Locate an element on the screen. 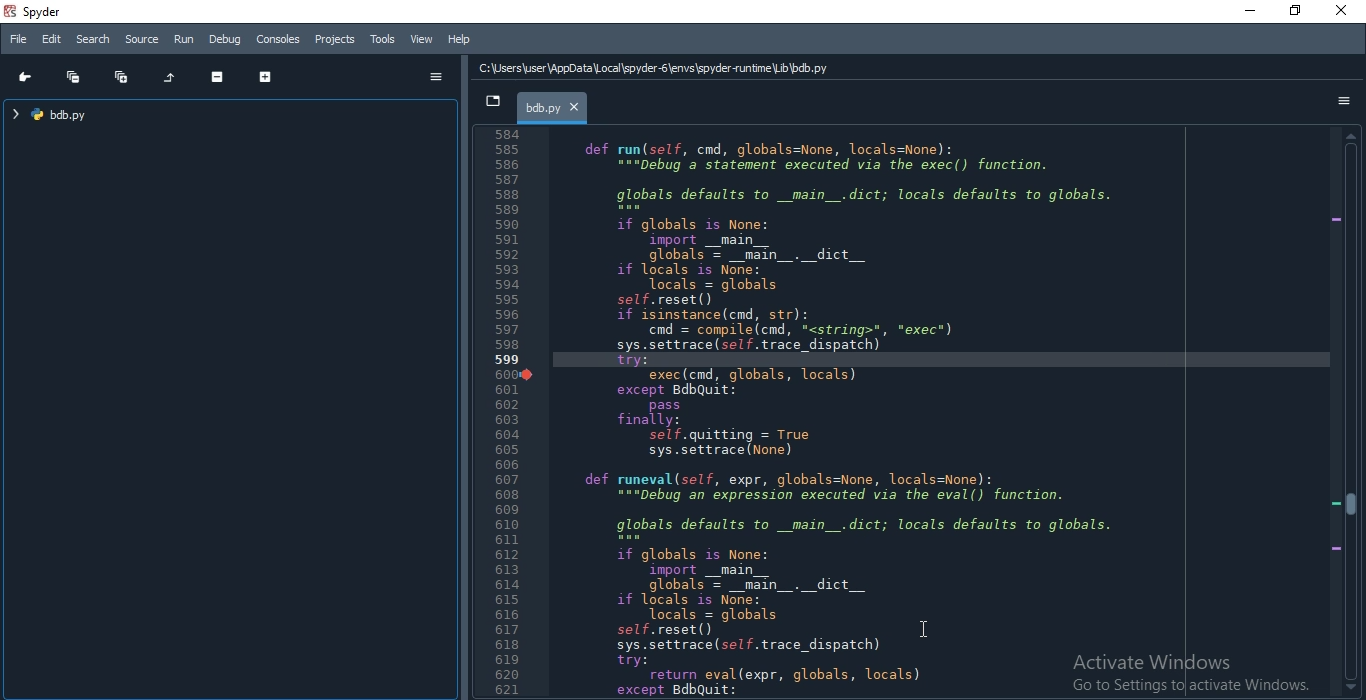  bdb.py is located at coordinates (552, 107).